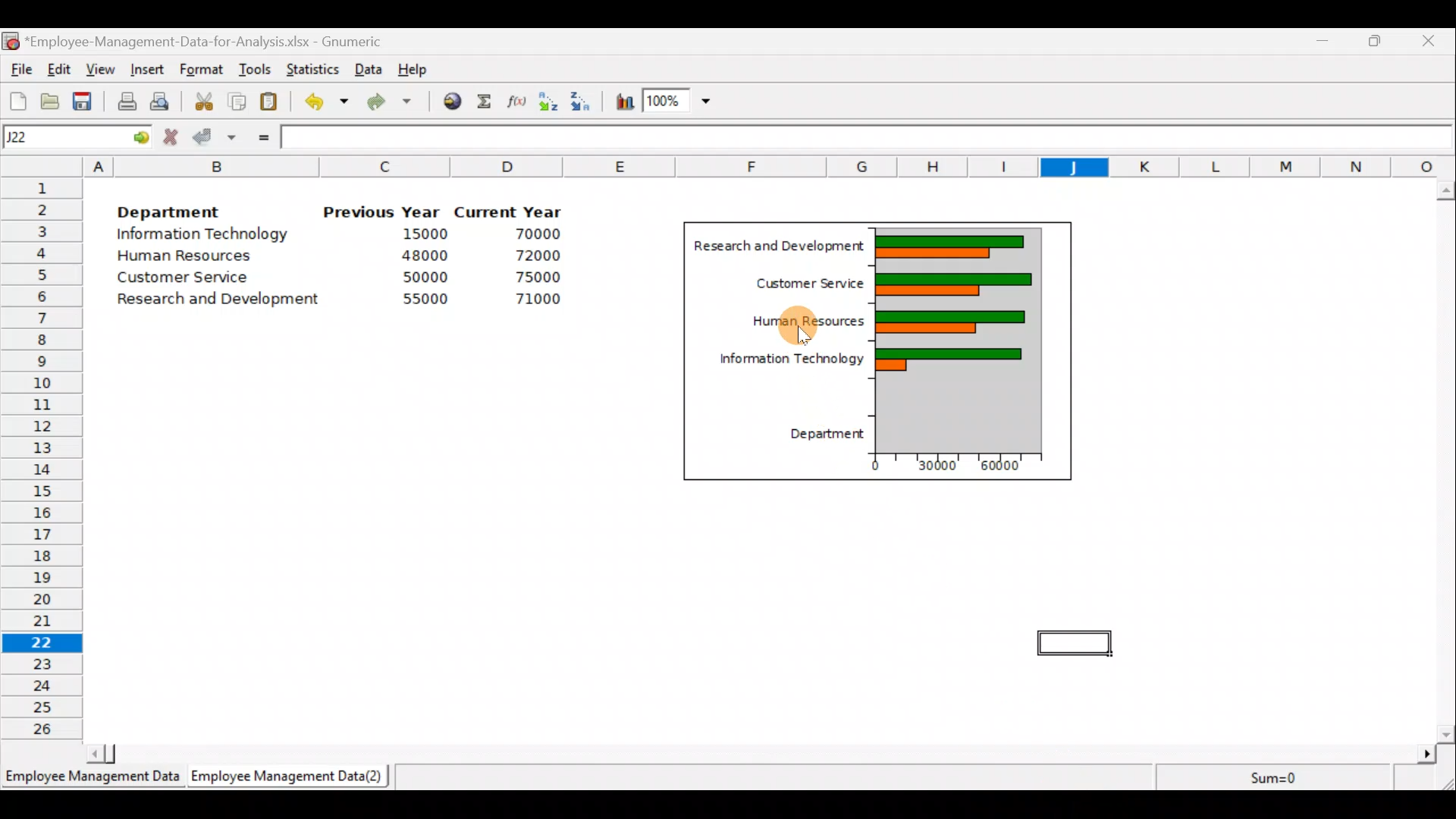 The height and width of the screenshot is (819, 1456). What do you see at coordinates (161, 101) in the screenshot?
I see `Print preview` at bounding box center [161, 101].